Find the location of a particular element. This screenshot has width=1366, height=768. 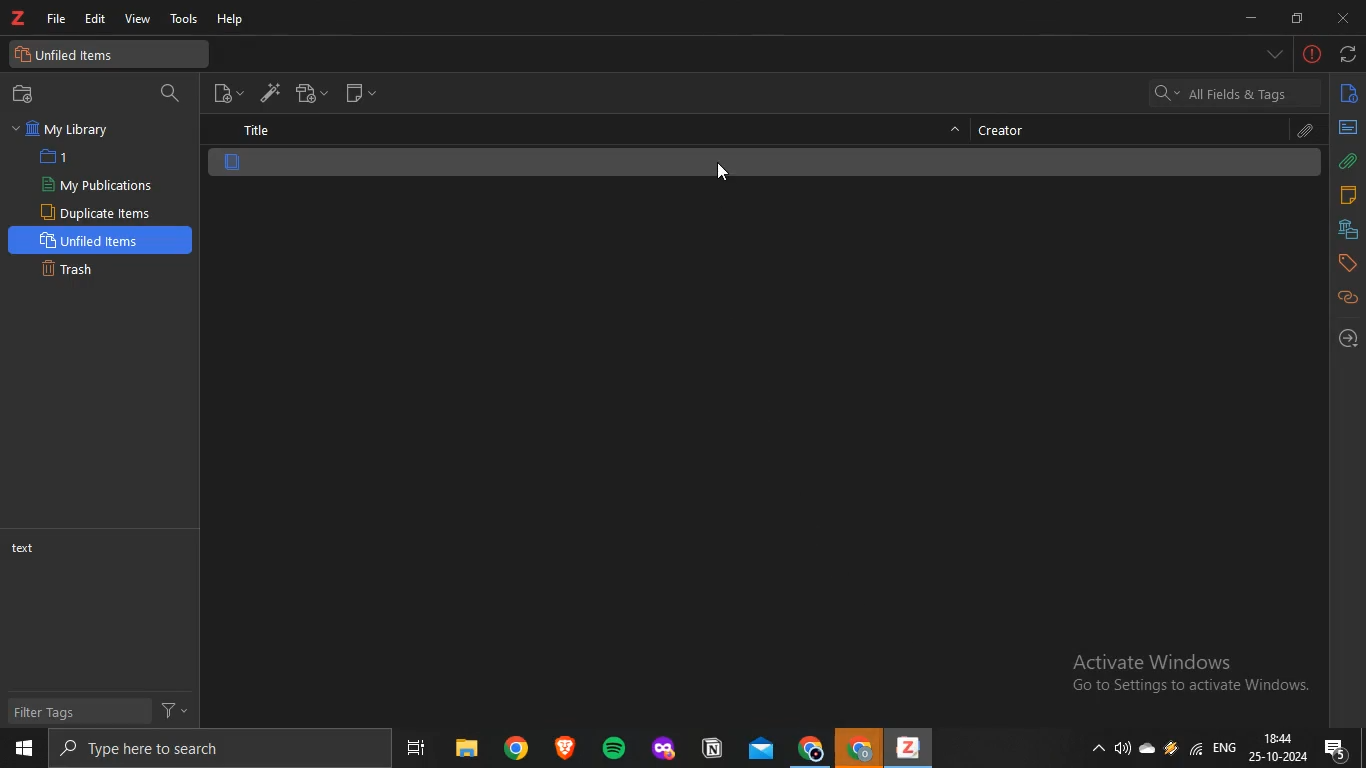

show hidden icons is located at coordinates (1093, 748).